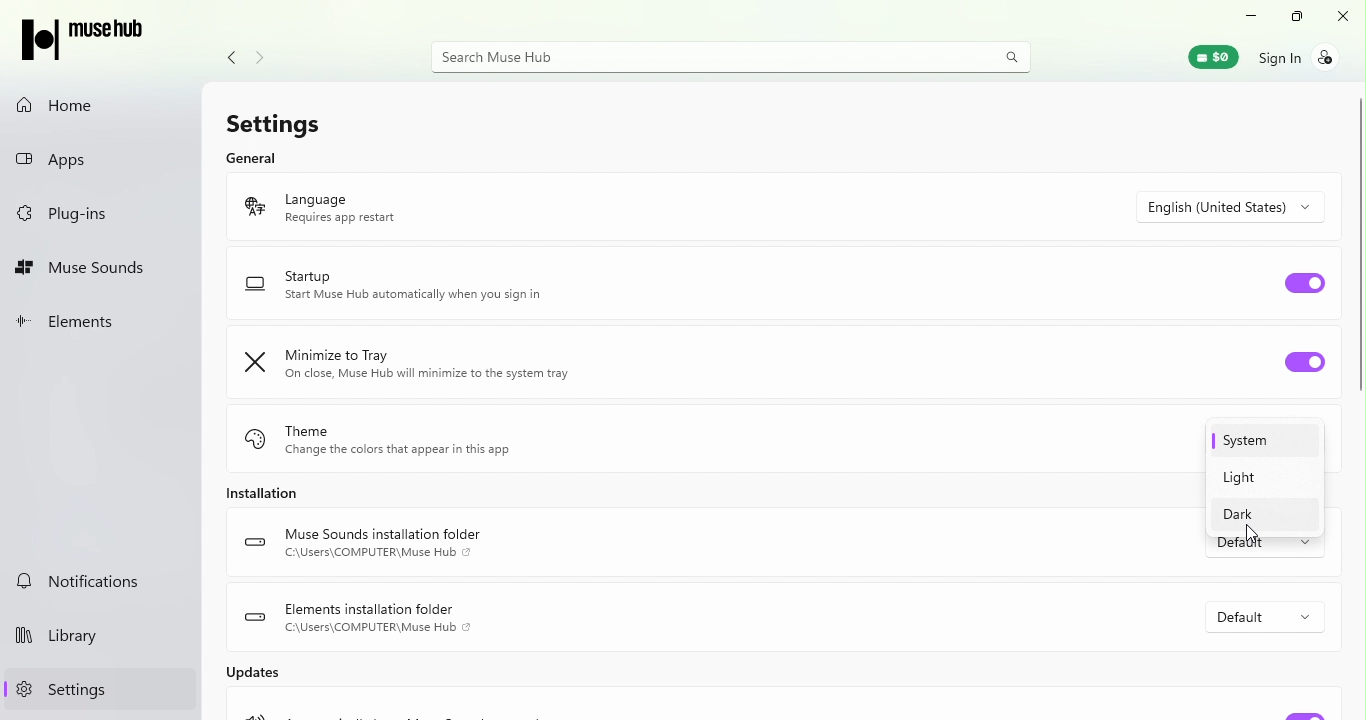  What do you see at coordinates (257, 58) in the screenshot?
I see `Navigate forward` at bounding box center [257, 58].